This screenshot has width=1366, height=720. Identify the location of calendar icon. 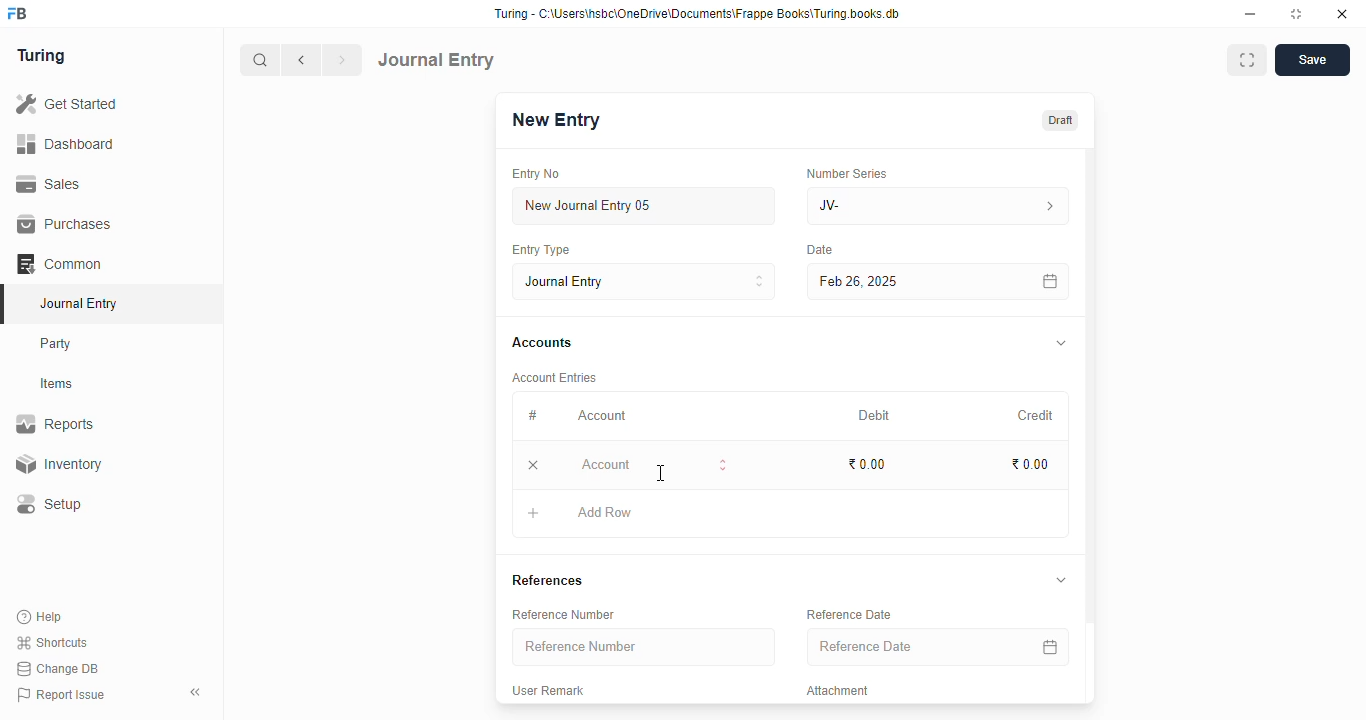
(1047, 646).